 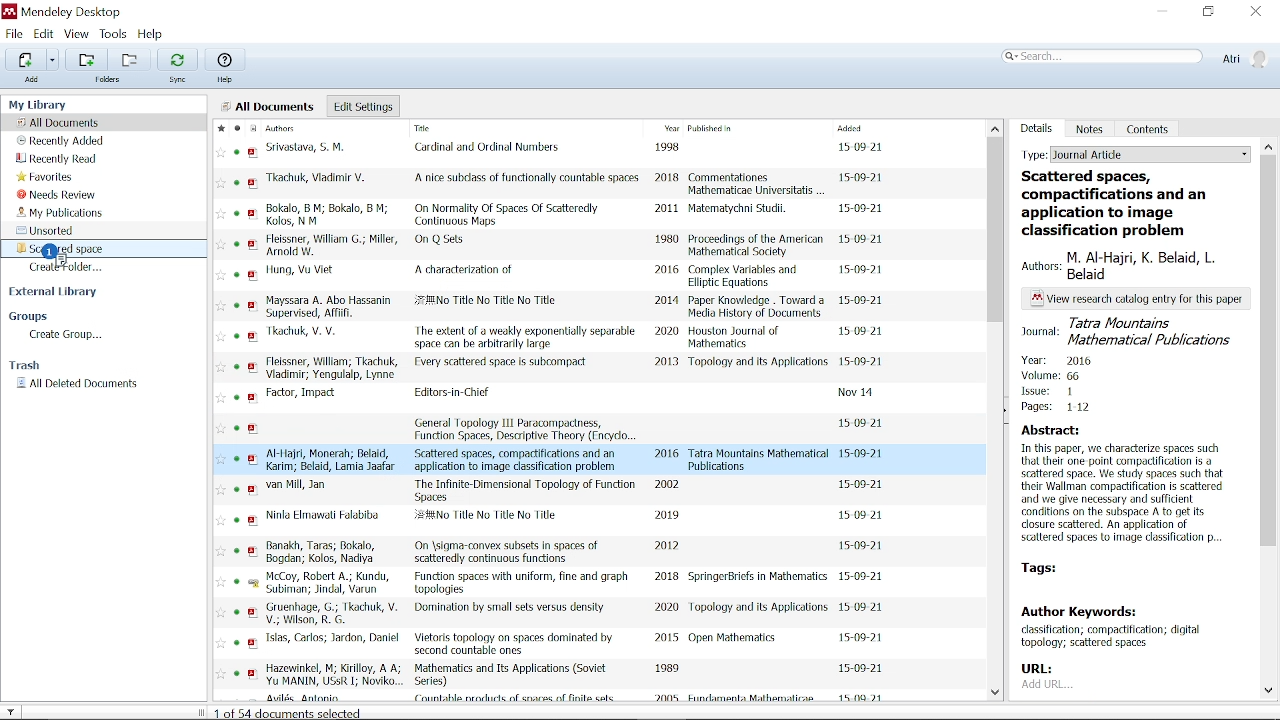 I want to click on 2016, so click(x=667, y=271).